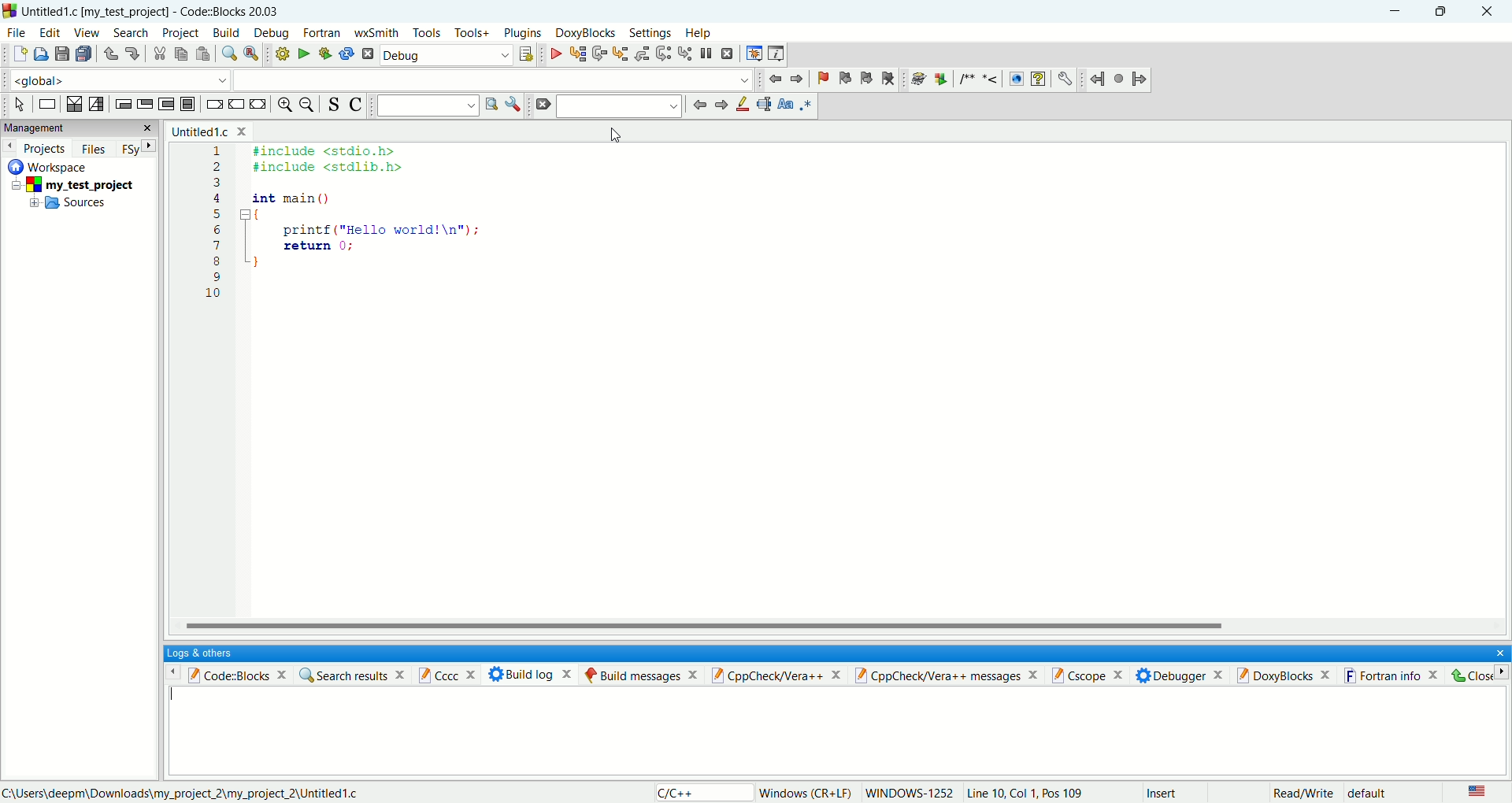 This screenshot has width=1512, height=803. I want to click on next line, so click(600, 54).